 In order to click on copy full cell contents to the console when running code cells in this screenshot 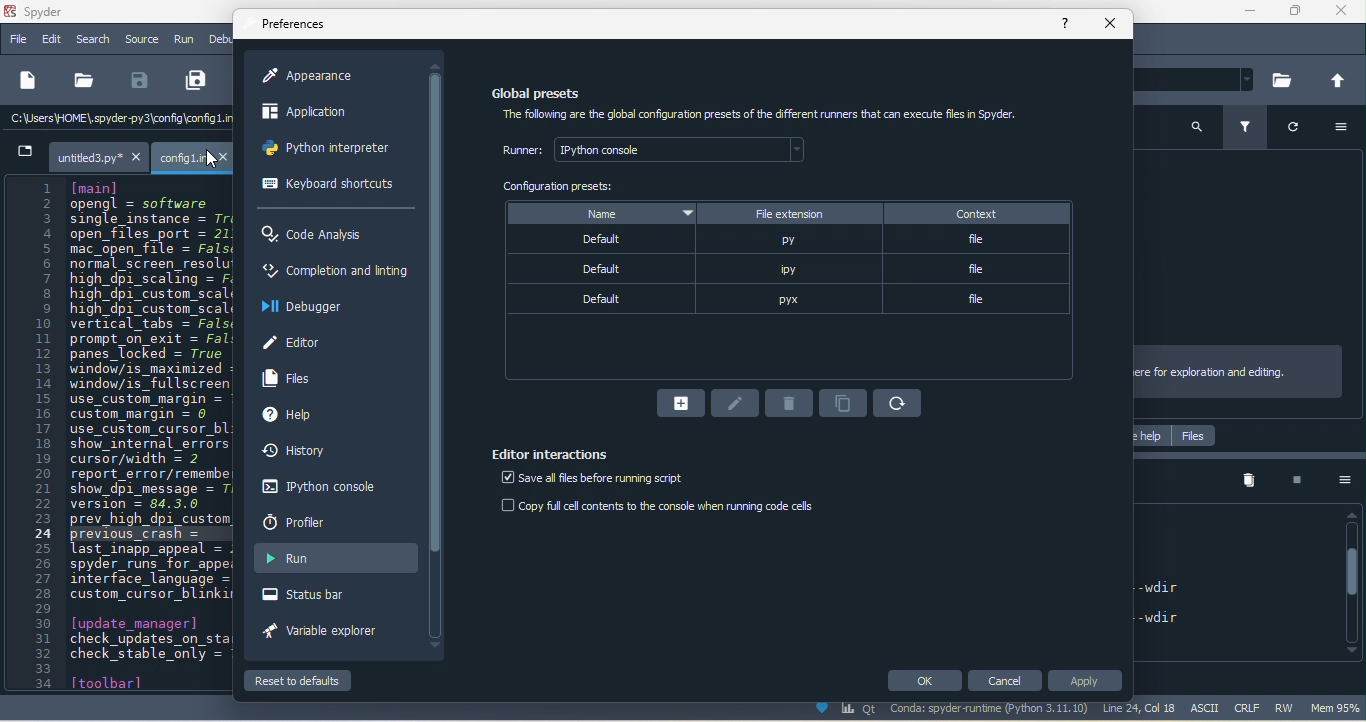, I will do `click(669, 507)`.